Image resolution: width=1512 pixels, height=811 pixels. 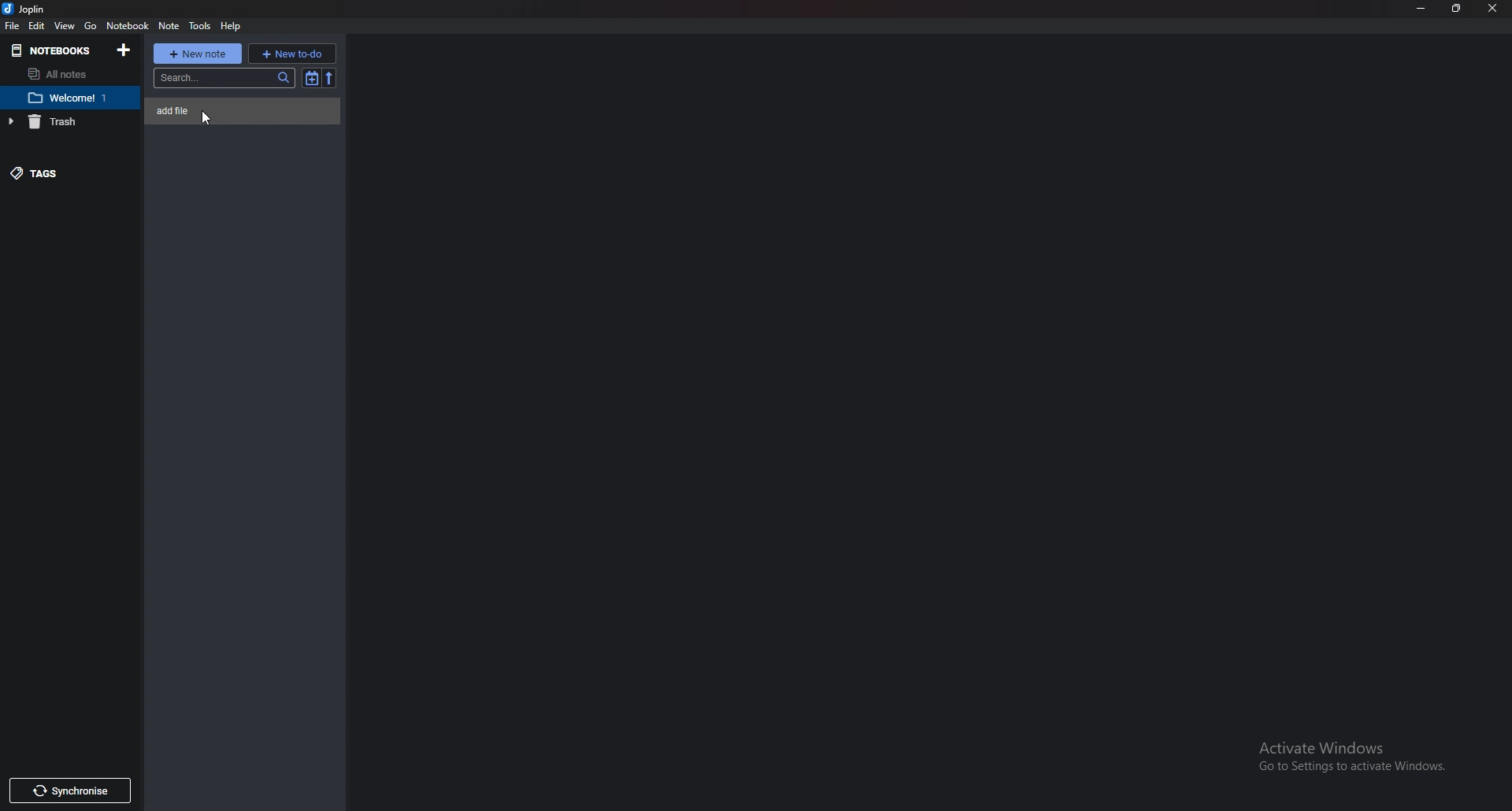 What do you see at coordinates (71, 791) in the screenshot?
I see `Synchronize` at bounding box center [71, 791].